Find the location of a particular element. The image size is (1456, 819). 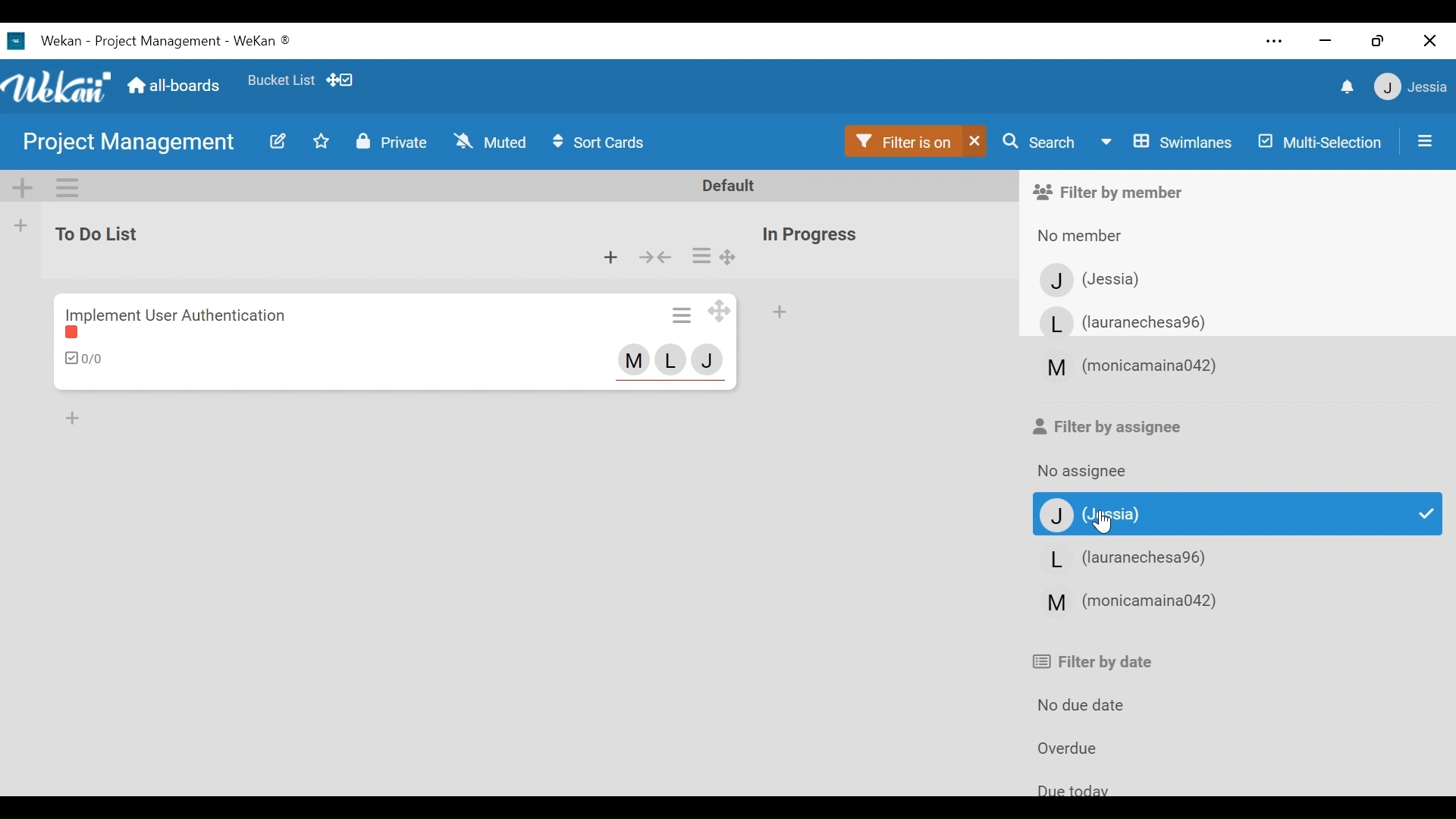

member is located at coordinates (713, 360).